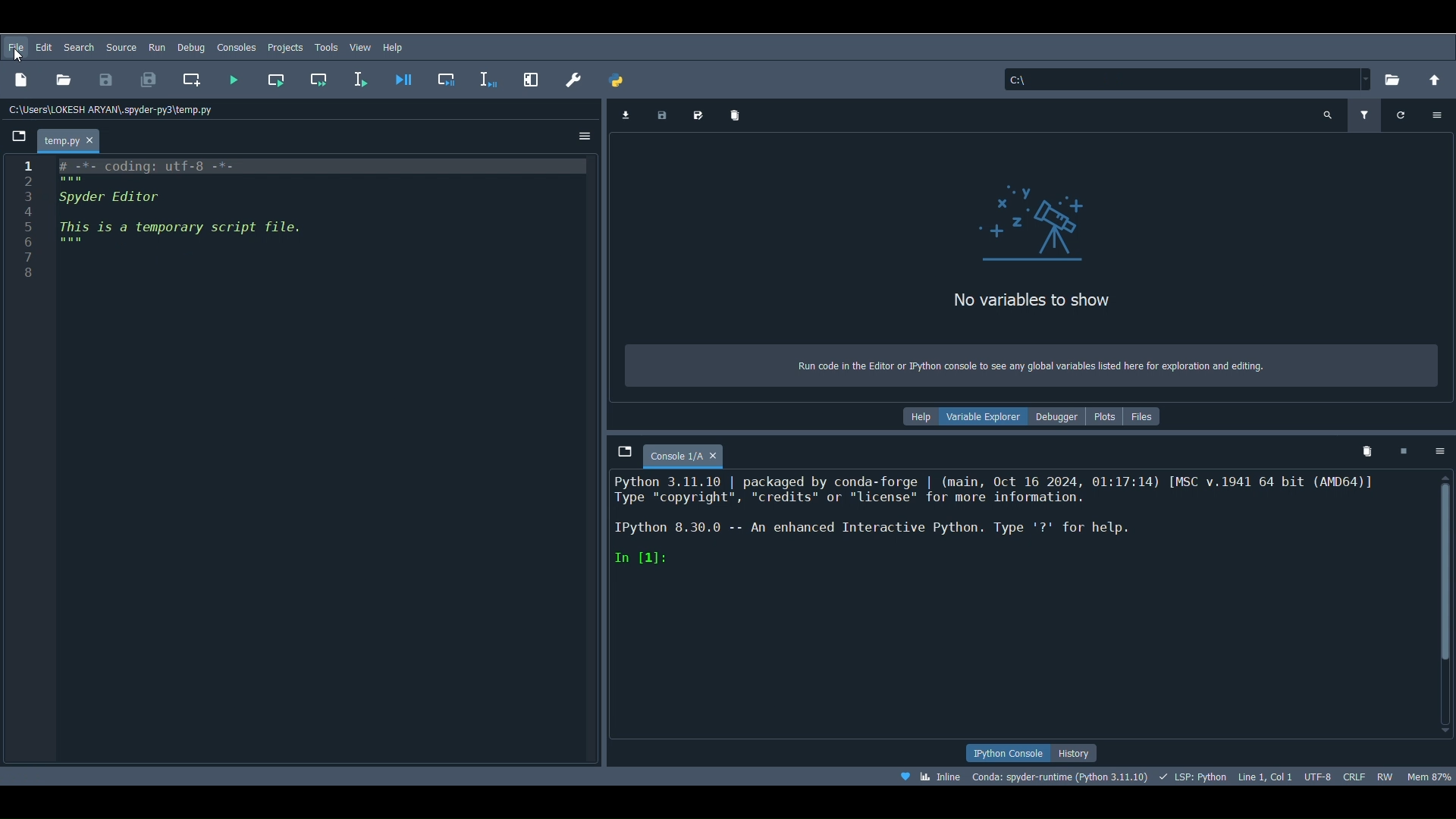 The image size is (1456, 819). I want to click on History, so click(1075, 753).